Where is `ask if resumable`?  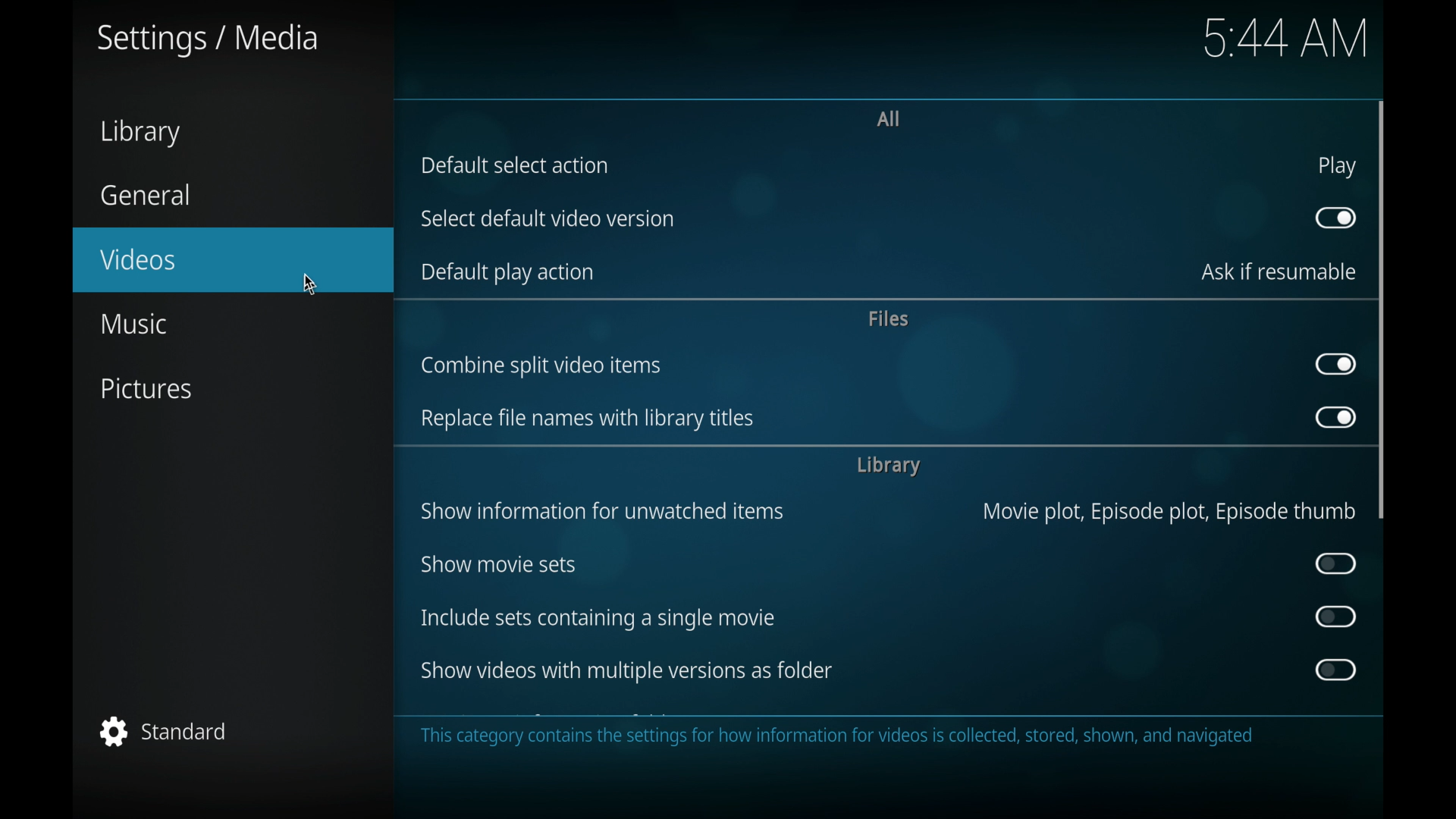 ask if resumable is located at coordinates (1279, 271).